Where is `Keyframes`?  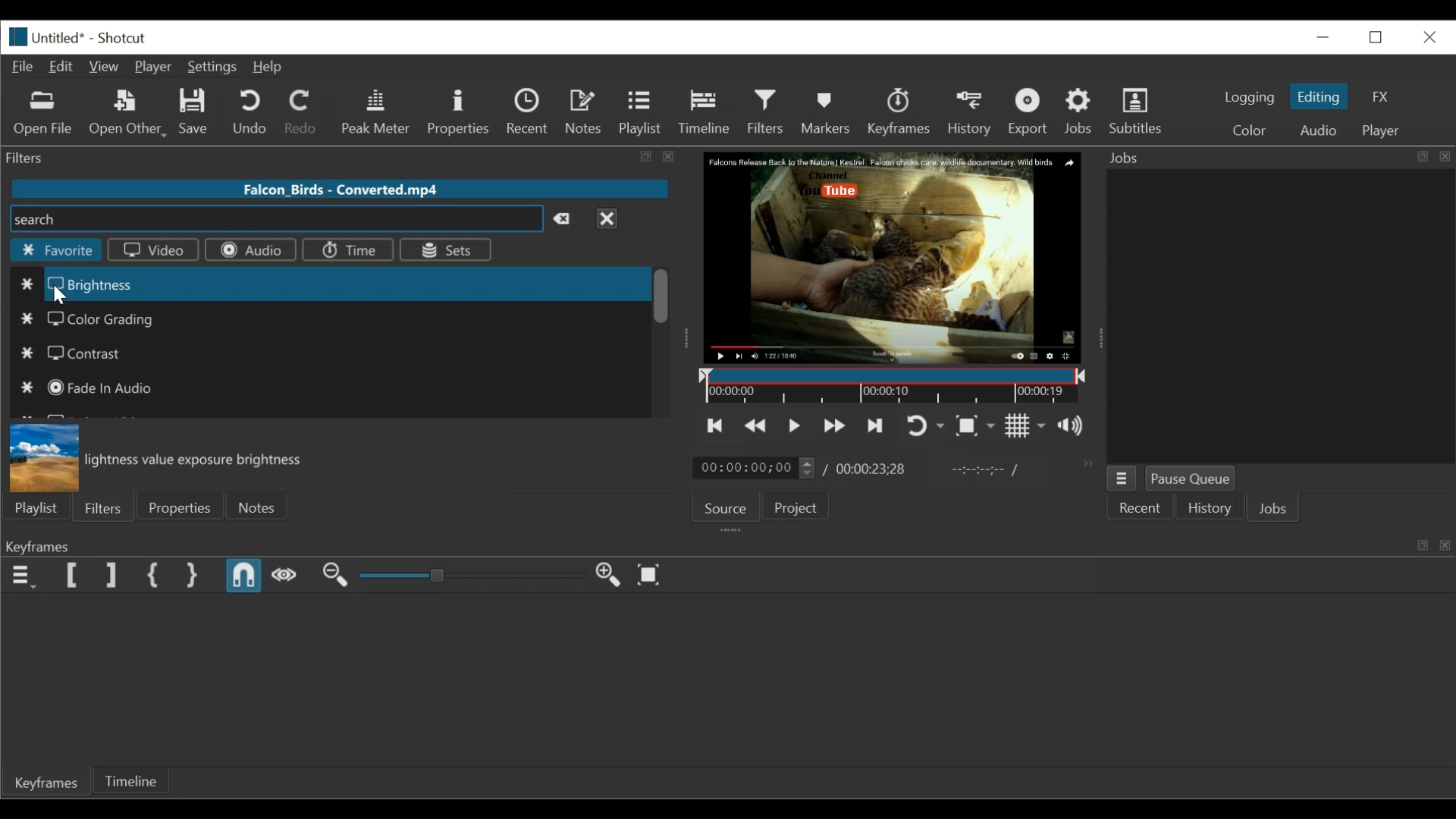 Keyframes is located at coordinates (899, 111).